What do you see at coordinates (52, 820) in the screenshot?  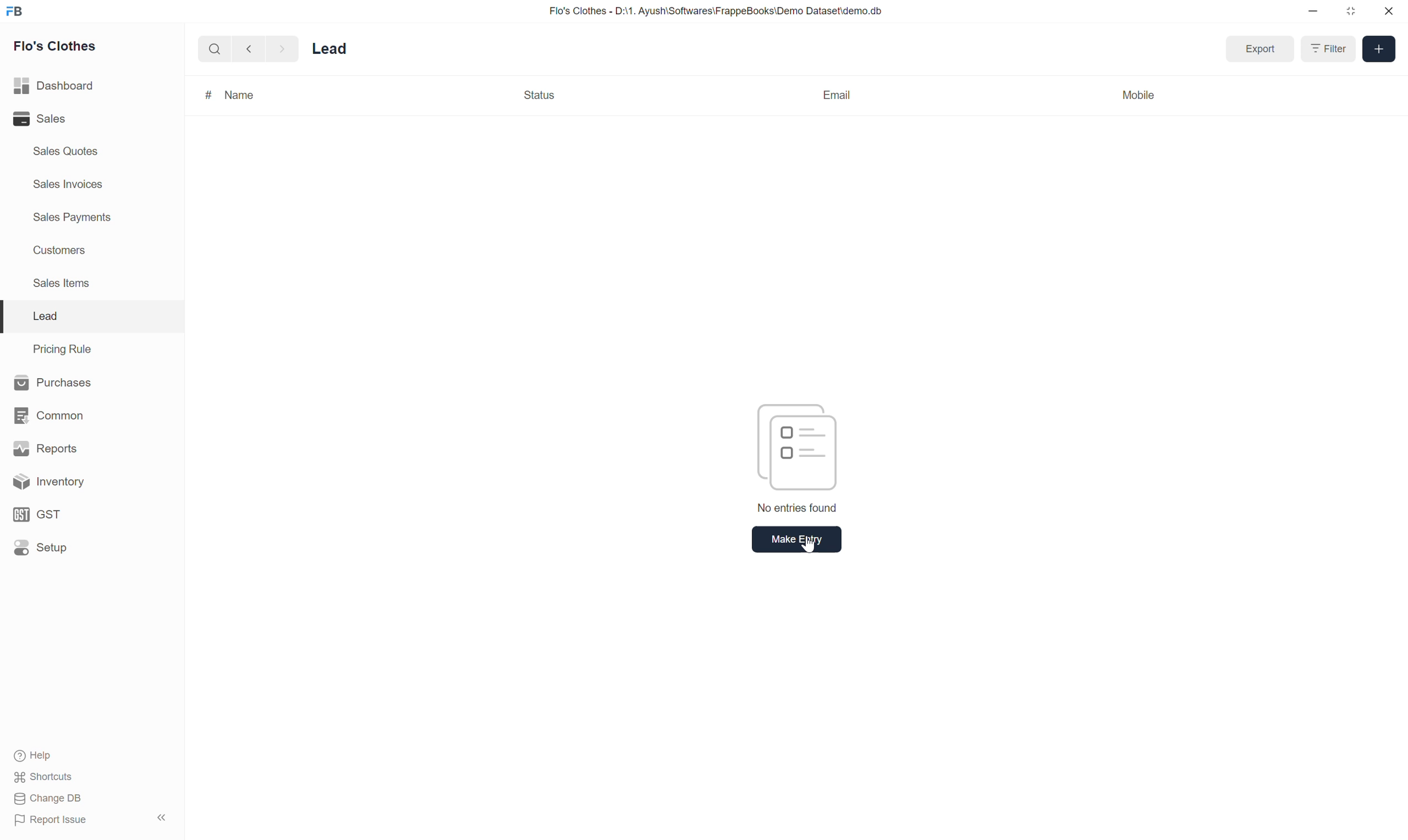 I see ` Report Issue` at bounding box center [52, 820].